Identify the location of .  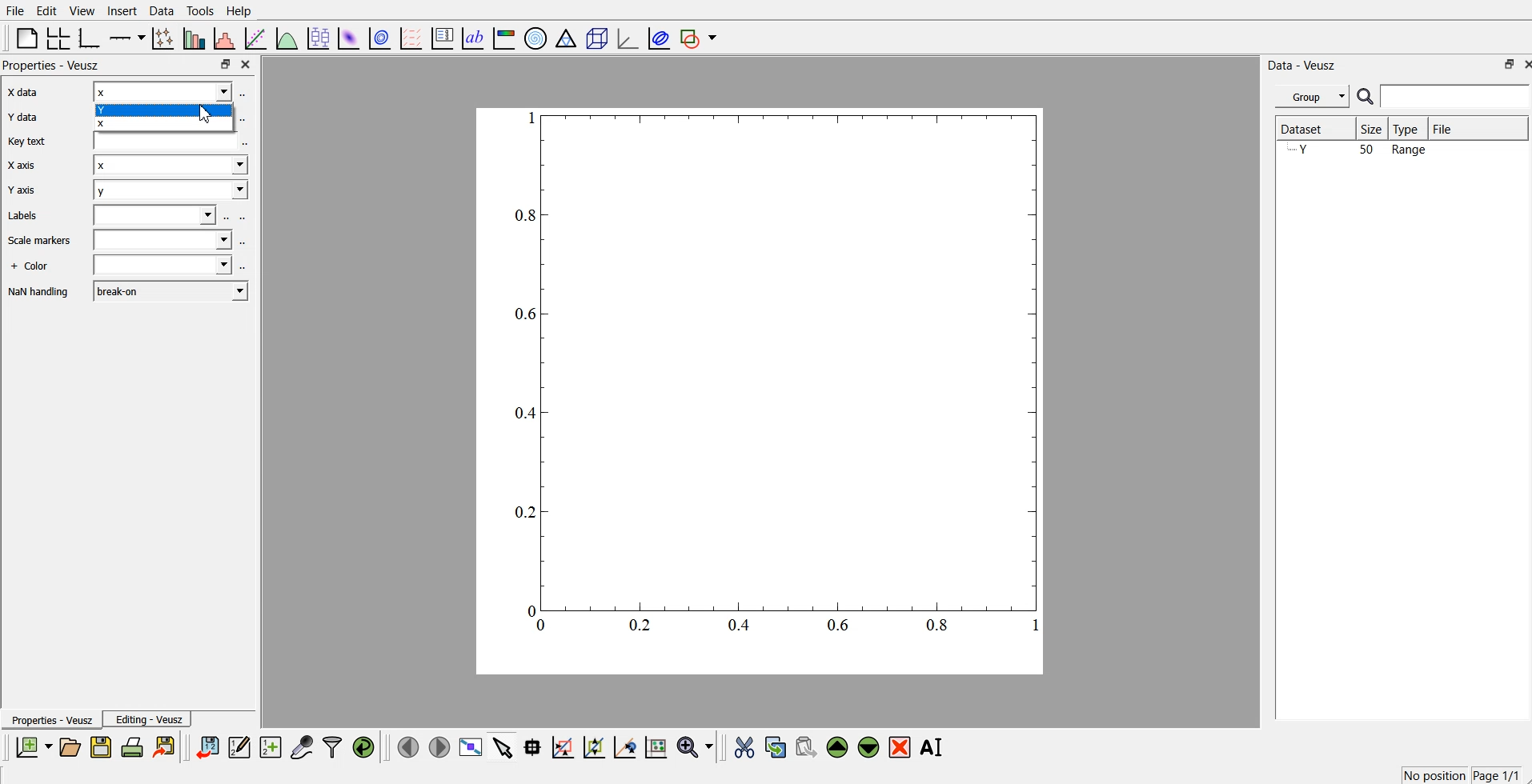
(40, 293).